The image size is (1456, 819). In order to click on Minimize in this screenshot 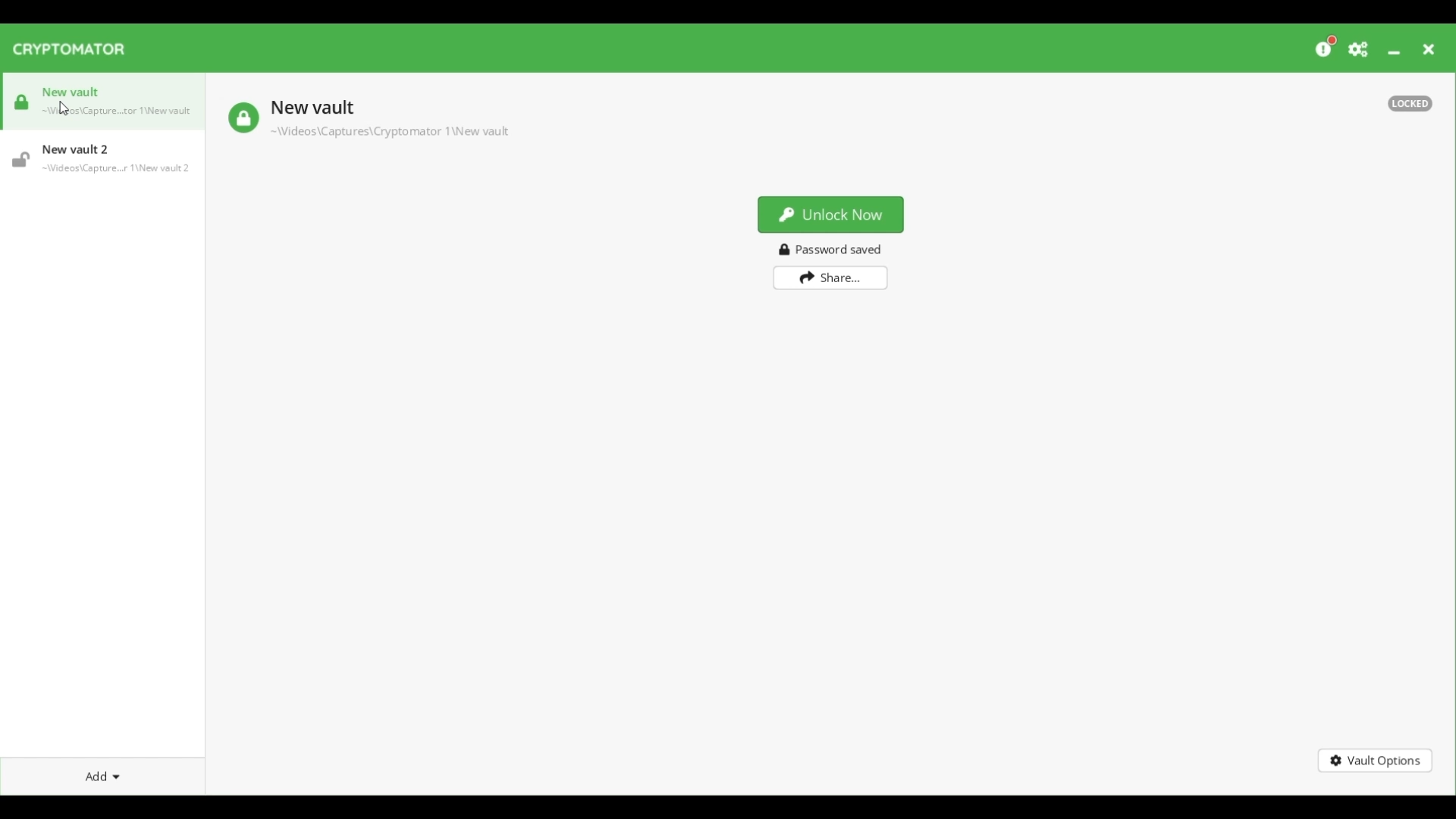, I will do `click(1394, 52)`.